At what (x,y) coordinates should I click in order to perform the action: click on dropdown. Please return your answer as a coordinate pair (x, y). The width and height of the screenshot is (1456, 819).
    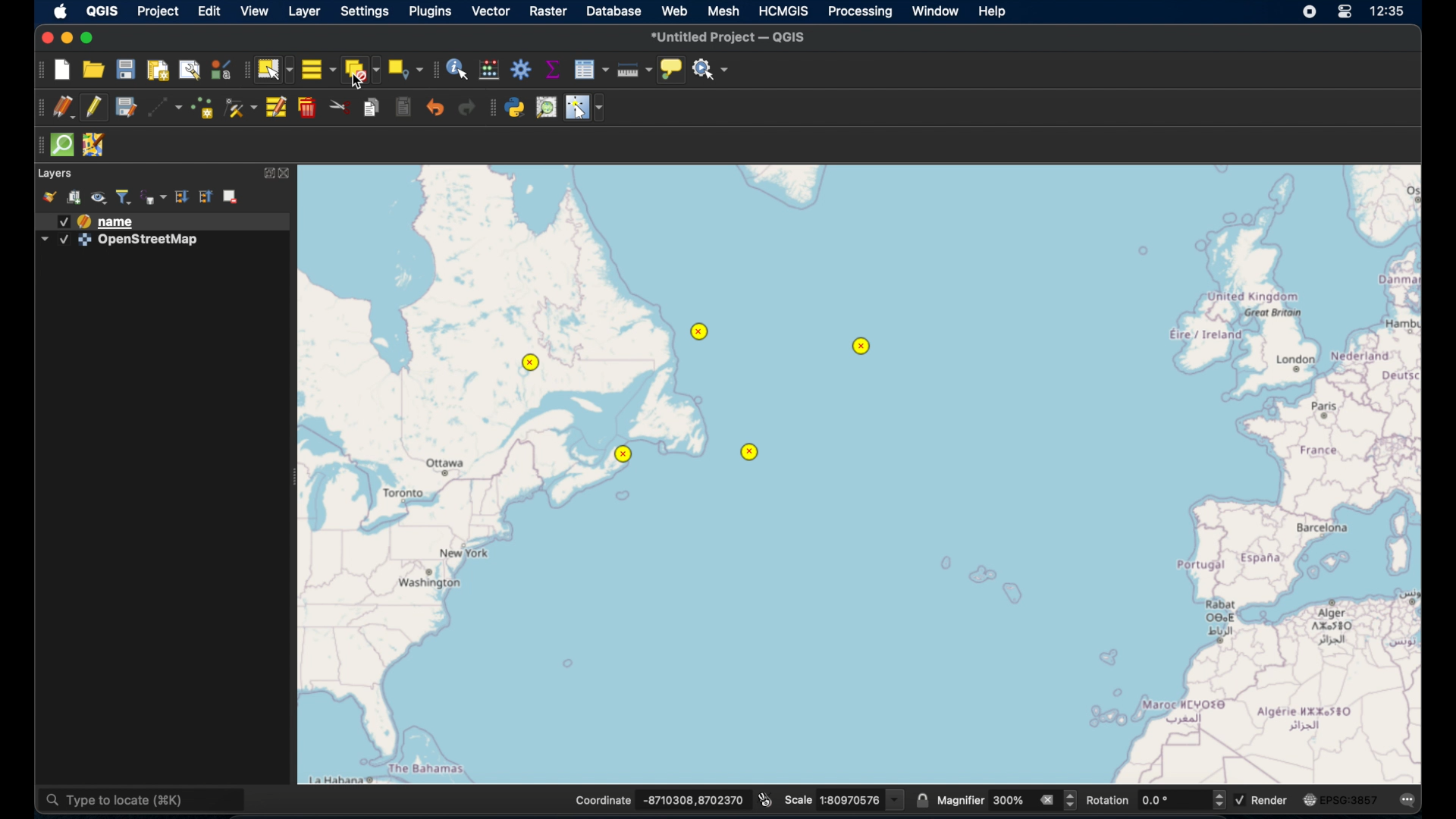
    Looking at the image, I should click on (44, 240).